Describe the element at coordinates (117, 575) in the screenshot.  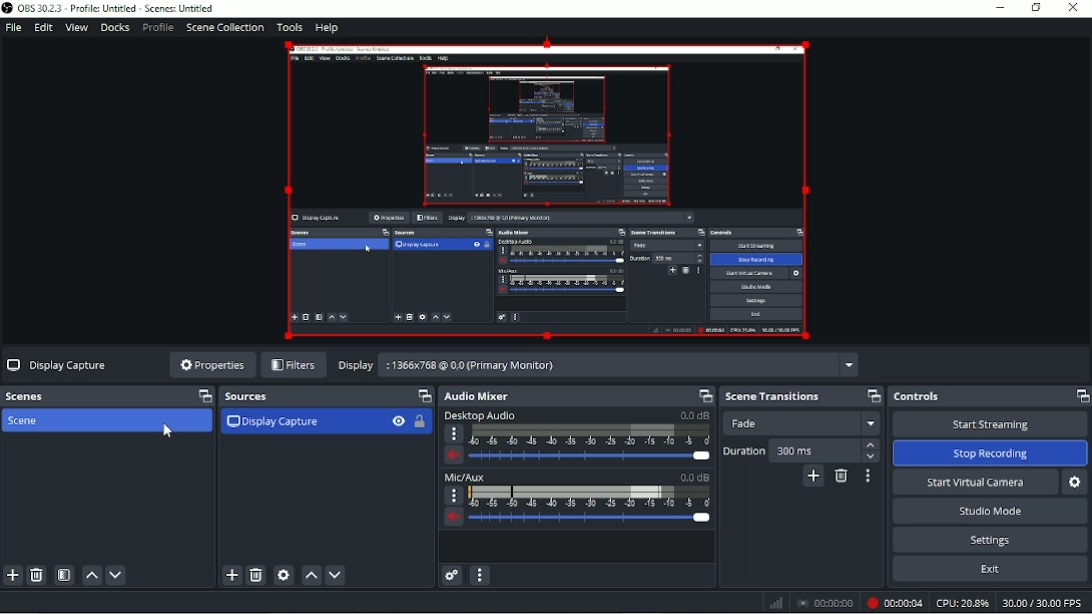
I see `Move scene down` at that location.